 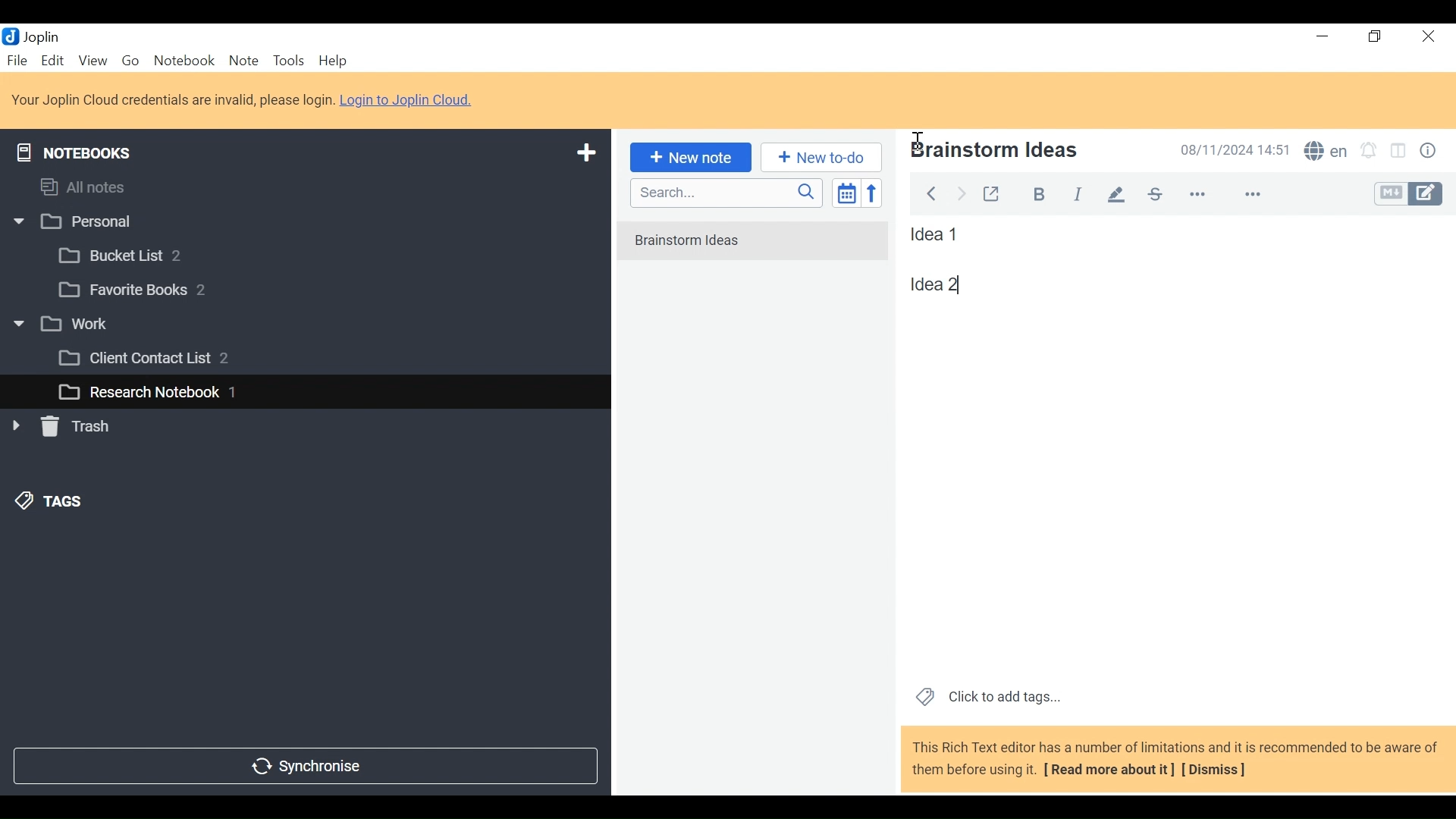 I want to click on Add New Notebook, so click(x=585, y=153).